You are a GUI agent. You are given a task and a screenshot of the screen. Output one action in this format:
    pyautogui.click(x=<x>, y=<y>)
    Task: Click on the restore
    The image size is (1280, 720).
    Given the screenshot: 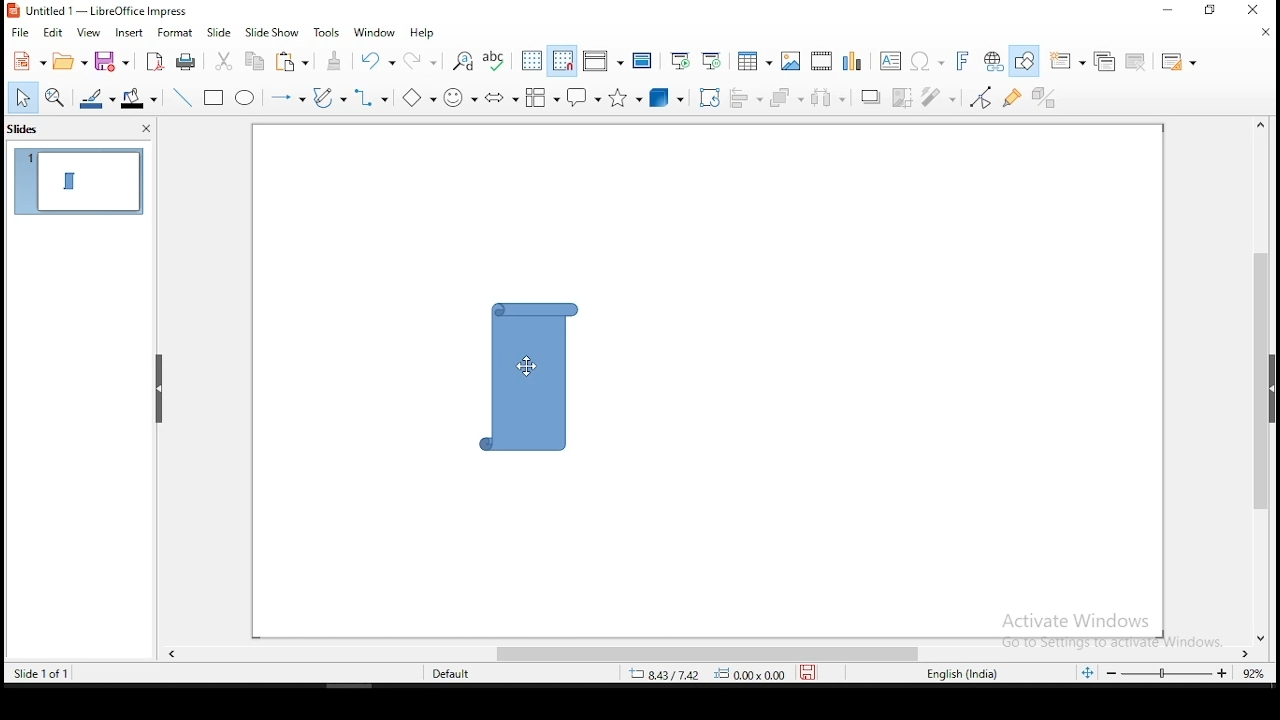 What is the action you would take?
    pyautogui.click(x=1210, y=10)
    